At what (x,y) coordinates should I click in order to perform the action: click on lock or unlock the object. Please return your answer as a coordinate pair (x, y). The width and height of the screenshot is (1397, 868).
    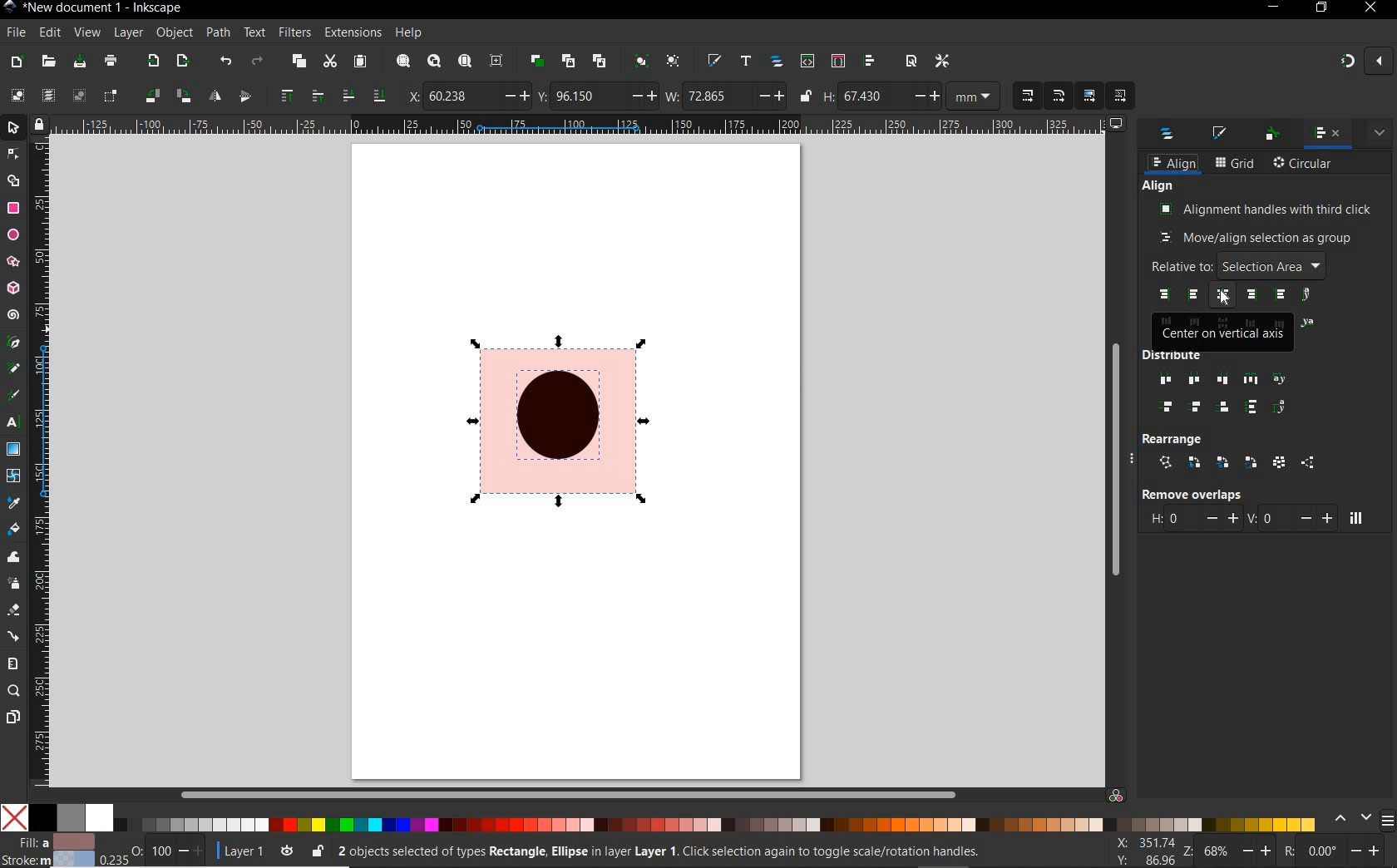
    Looking at the image, I should click on (318, 851).